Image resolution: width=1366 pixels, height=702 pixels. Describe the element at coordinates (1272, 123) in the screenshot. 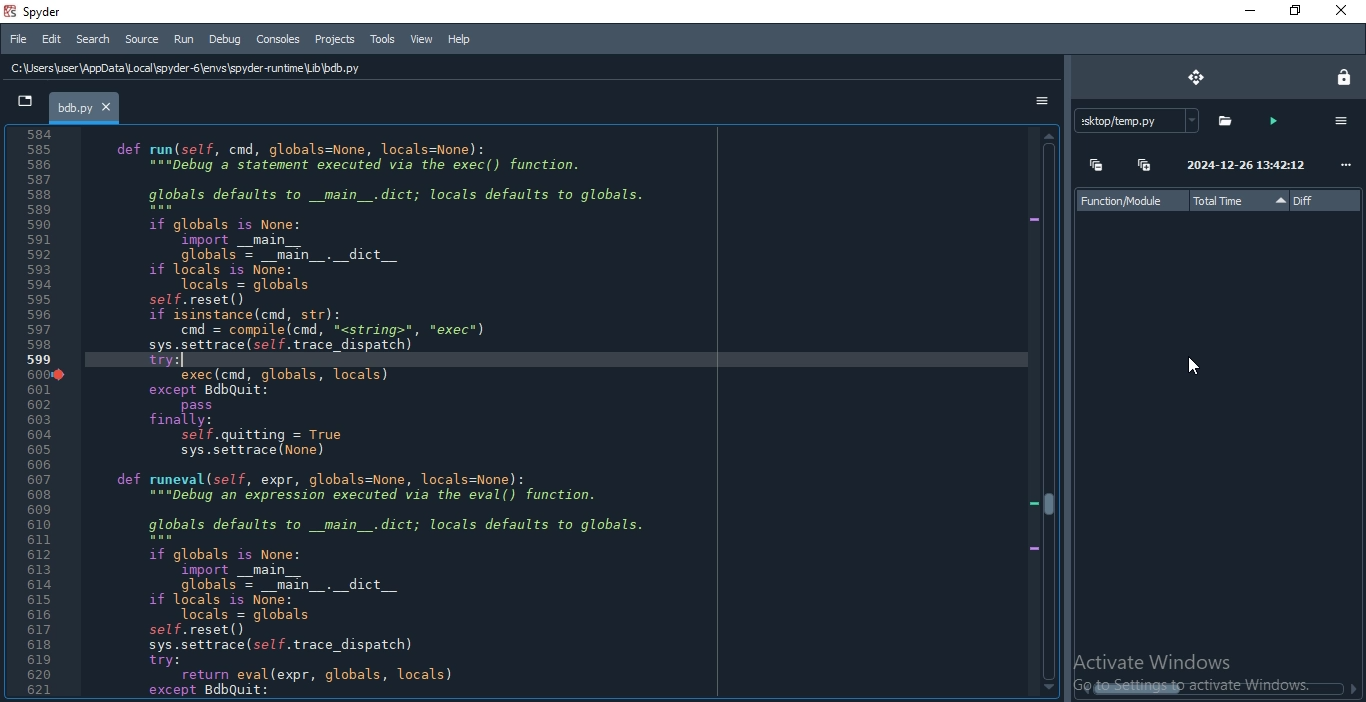

I see `run` at that location.